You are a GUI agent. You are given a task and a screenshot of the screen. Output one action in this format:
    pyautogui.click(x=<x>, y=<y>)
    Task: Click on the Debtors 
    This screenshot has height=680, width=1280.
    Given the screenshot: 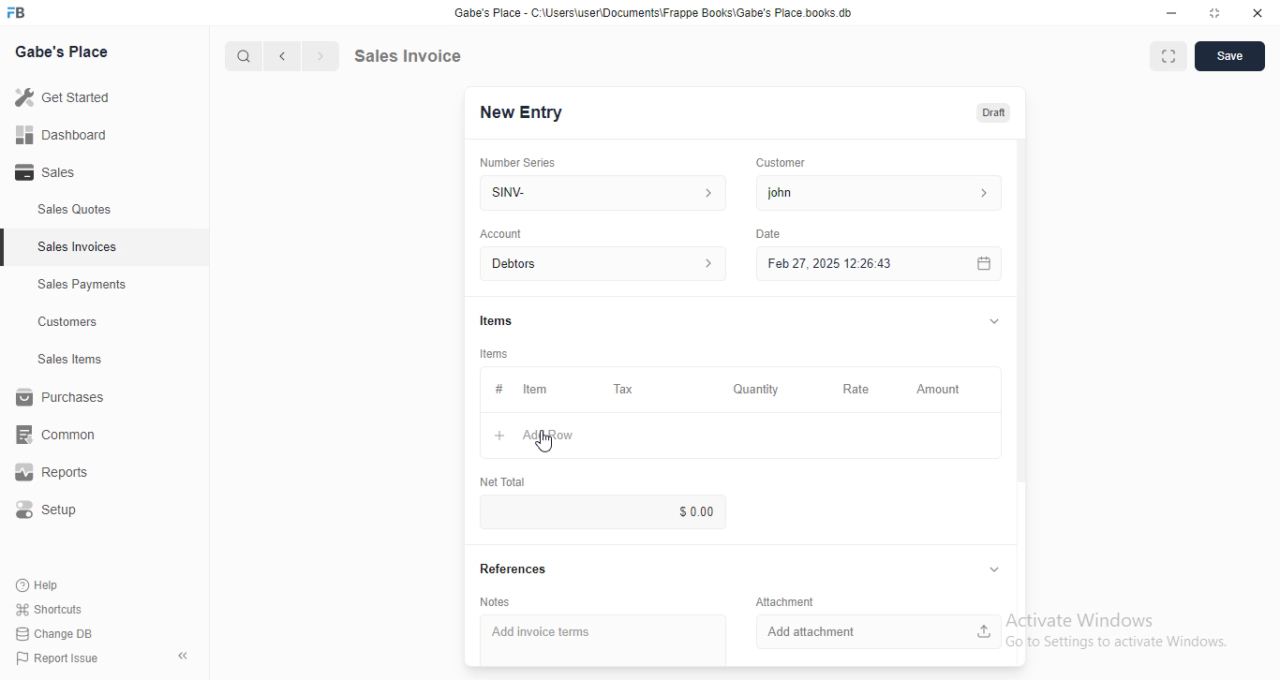 What is the action you would take?
    pyautogui.click(x=599, y=263)
    